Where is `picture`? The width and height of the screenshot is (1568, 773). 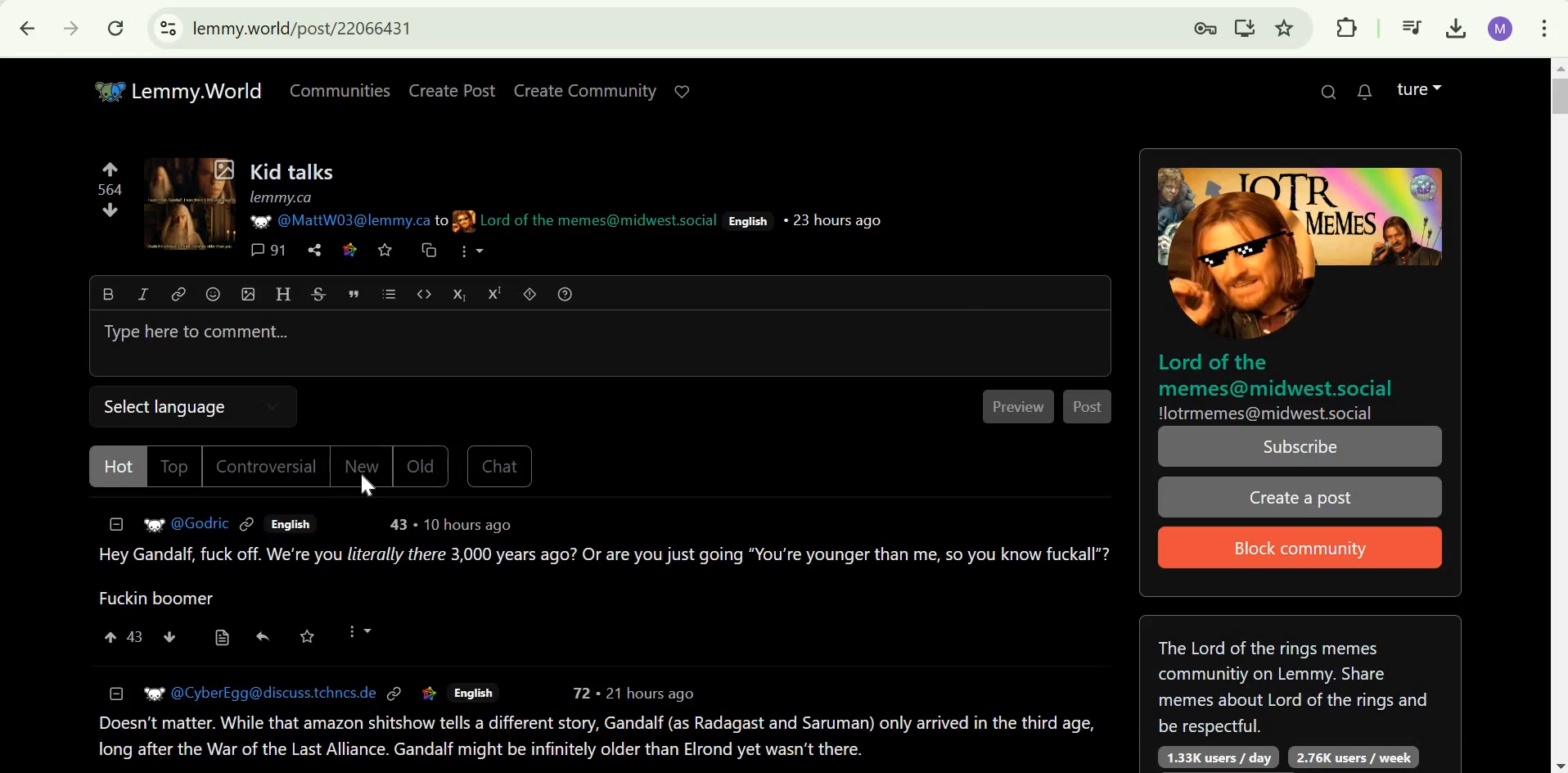 picture is located at coordinates (257, 220).